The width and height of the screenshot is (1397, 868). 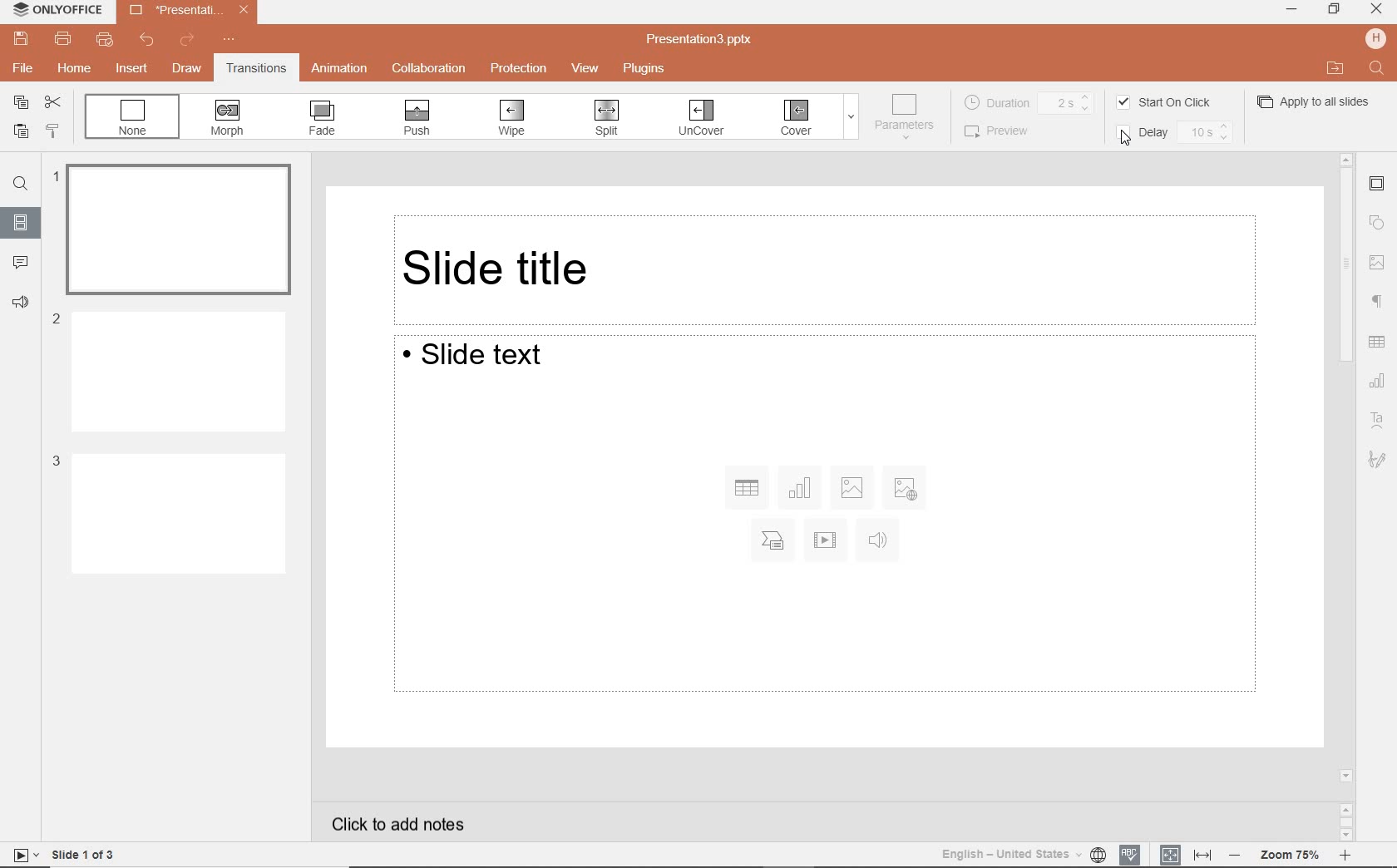 I want to click on slides, so click(x=21, y=222).